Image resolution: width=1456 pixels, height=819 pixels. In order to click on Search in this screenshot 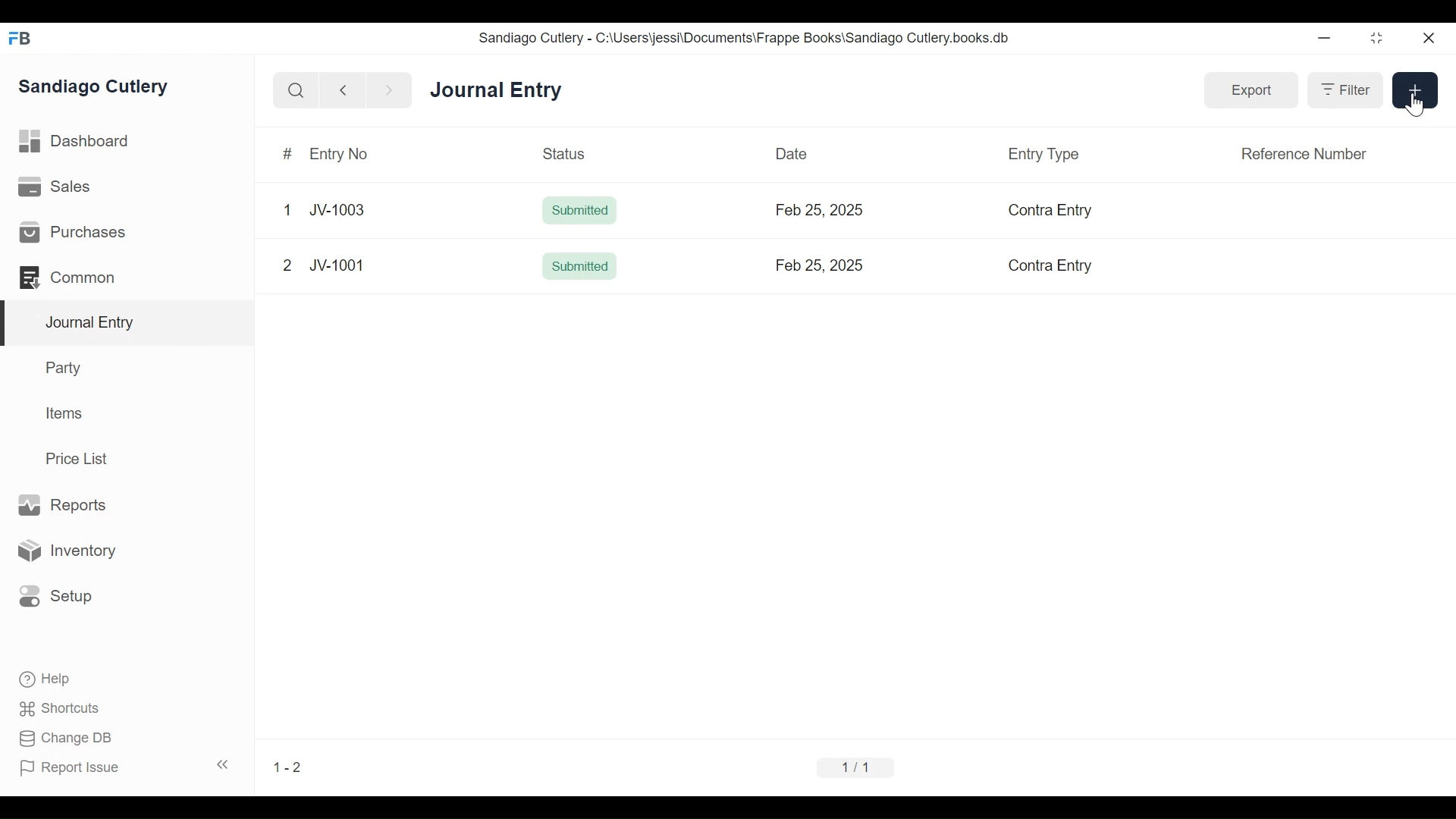, I will do `click(294, 90)`.